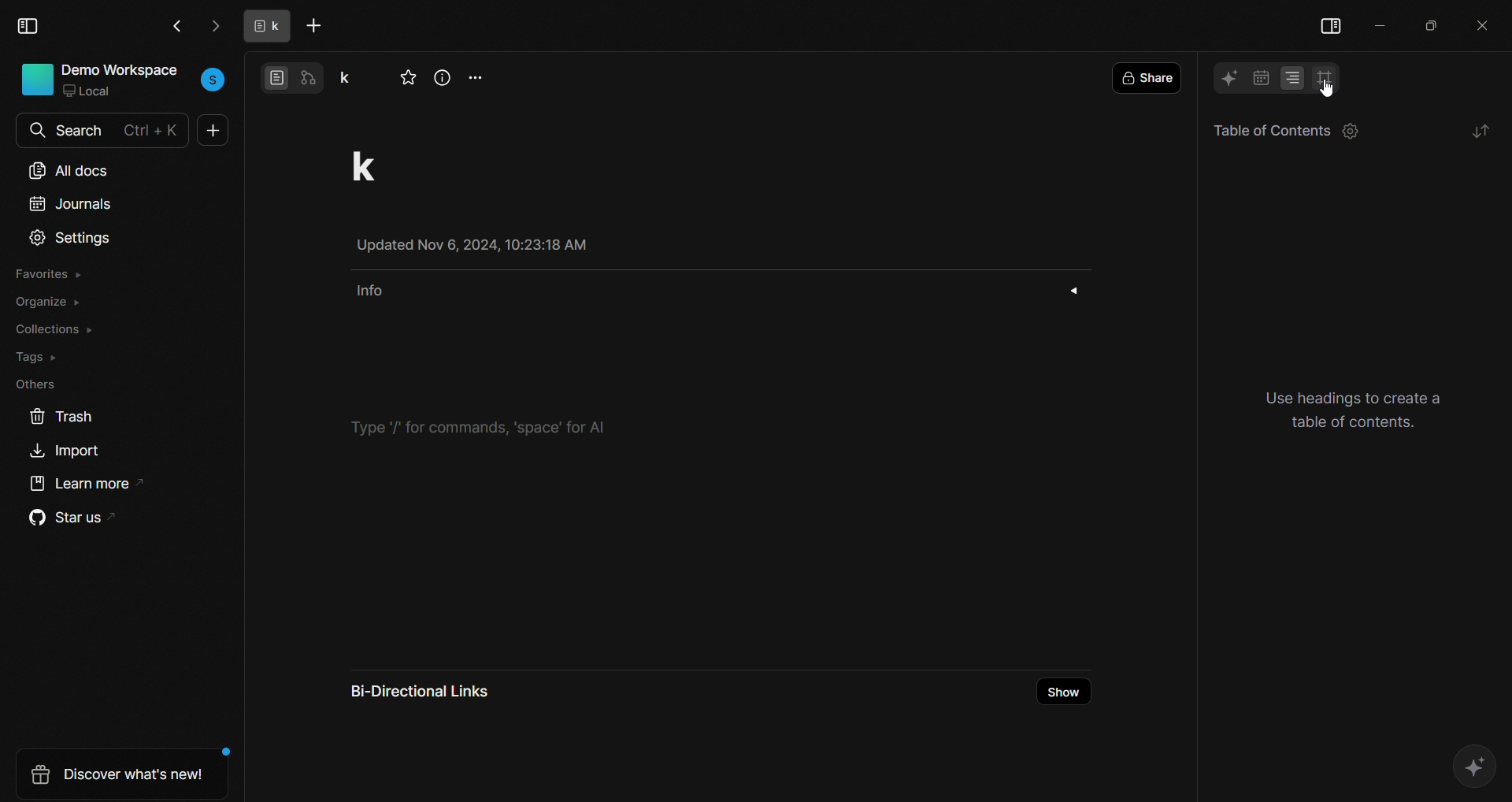 This screenshot has width=1512, height=802. What do you see at coordinates (69, 453) in the screenshot?
I see `import` at bounding box center [69, 453].